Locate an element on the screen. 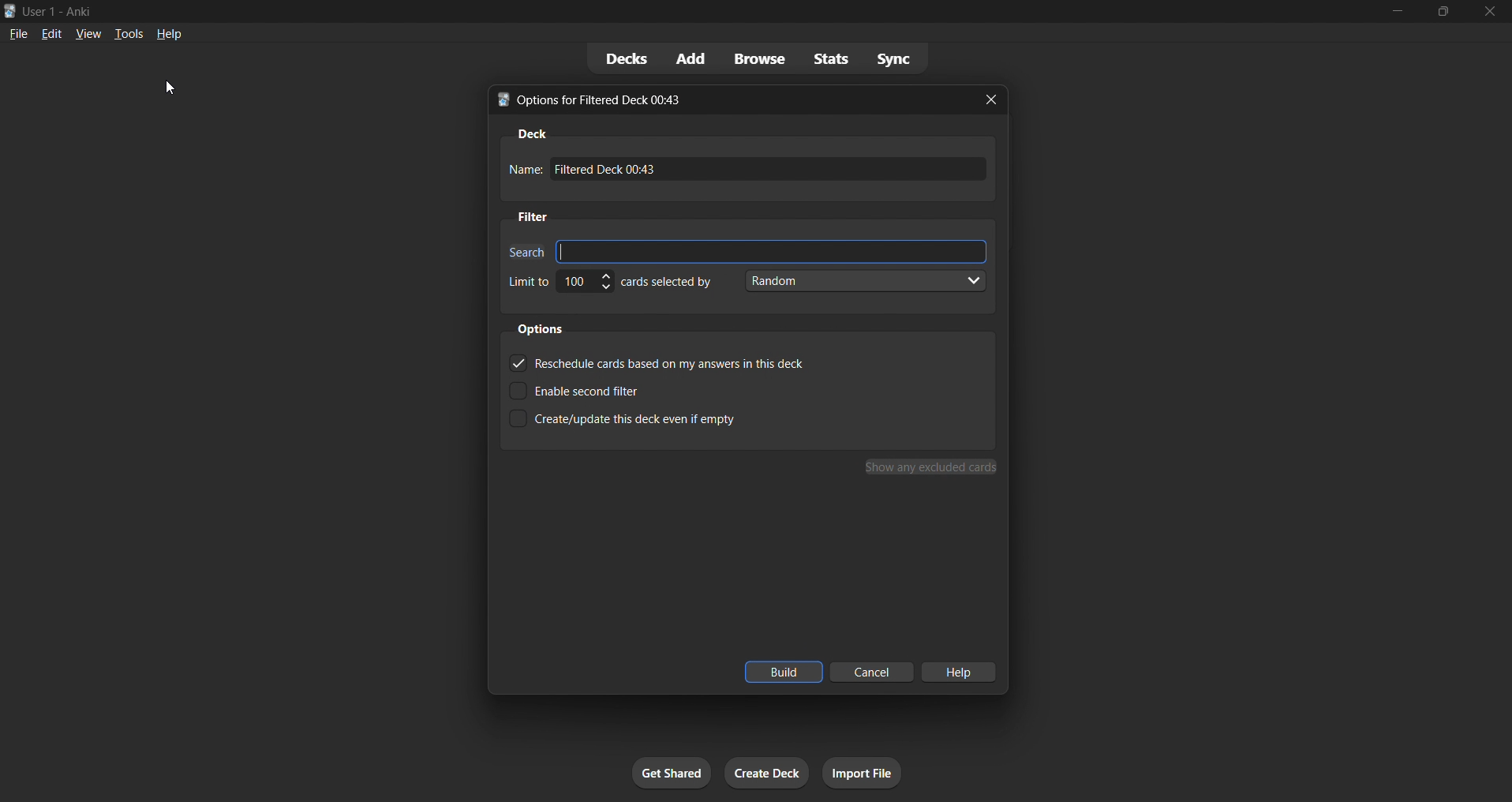  sync is located at coordinates (896, 57).